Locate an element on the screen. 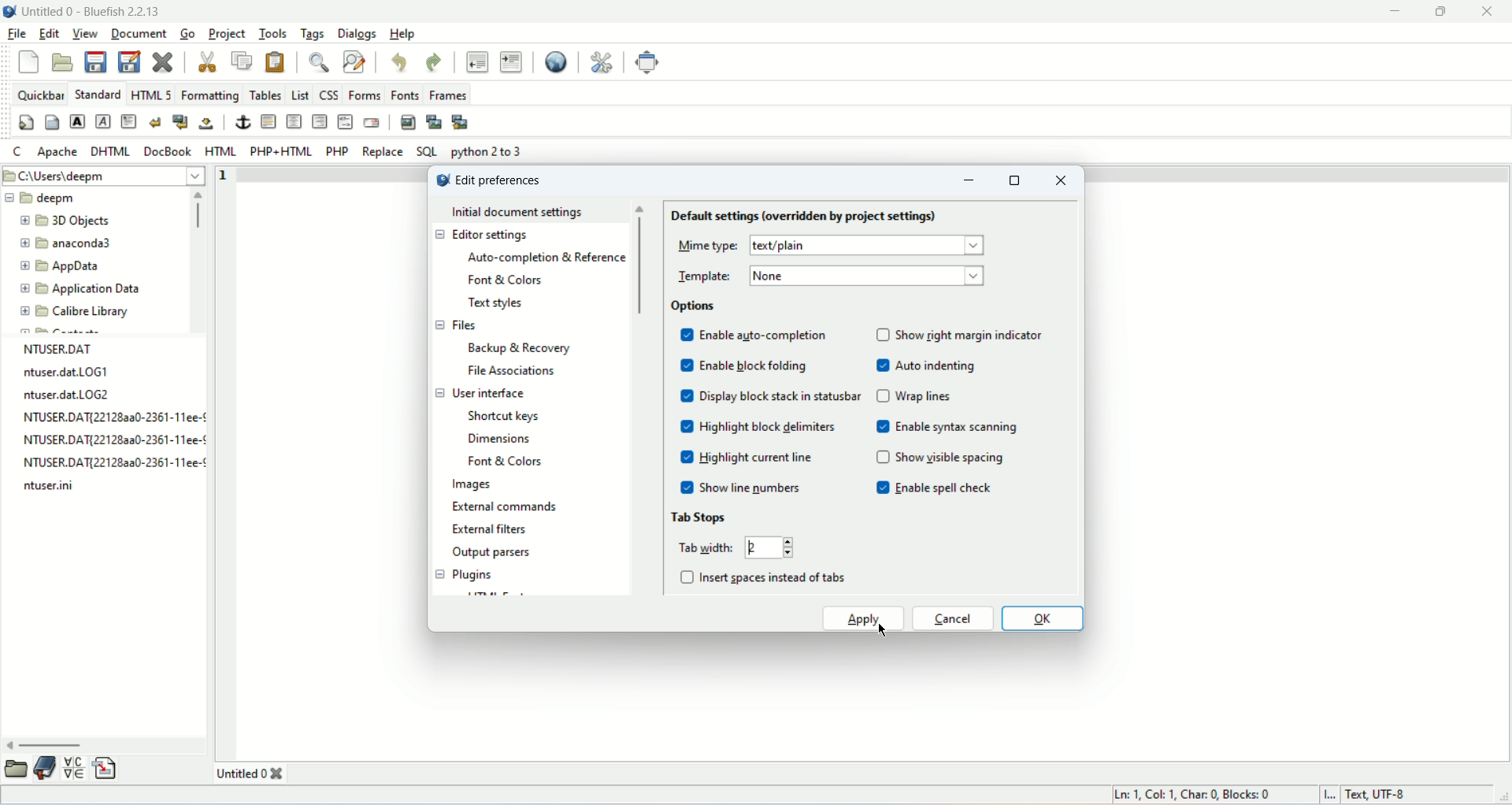 This screenshot has height=805, width=1512. new is located at coordinates (28, 62).